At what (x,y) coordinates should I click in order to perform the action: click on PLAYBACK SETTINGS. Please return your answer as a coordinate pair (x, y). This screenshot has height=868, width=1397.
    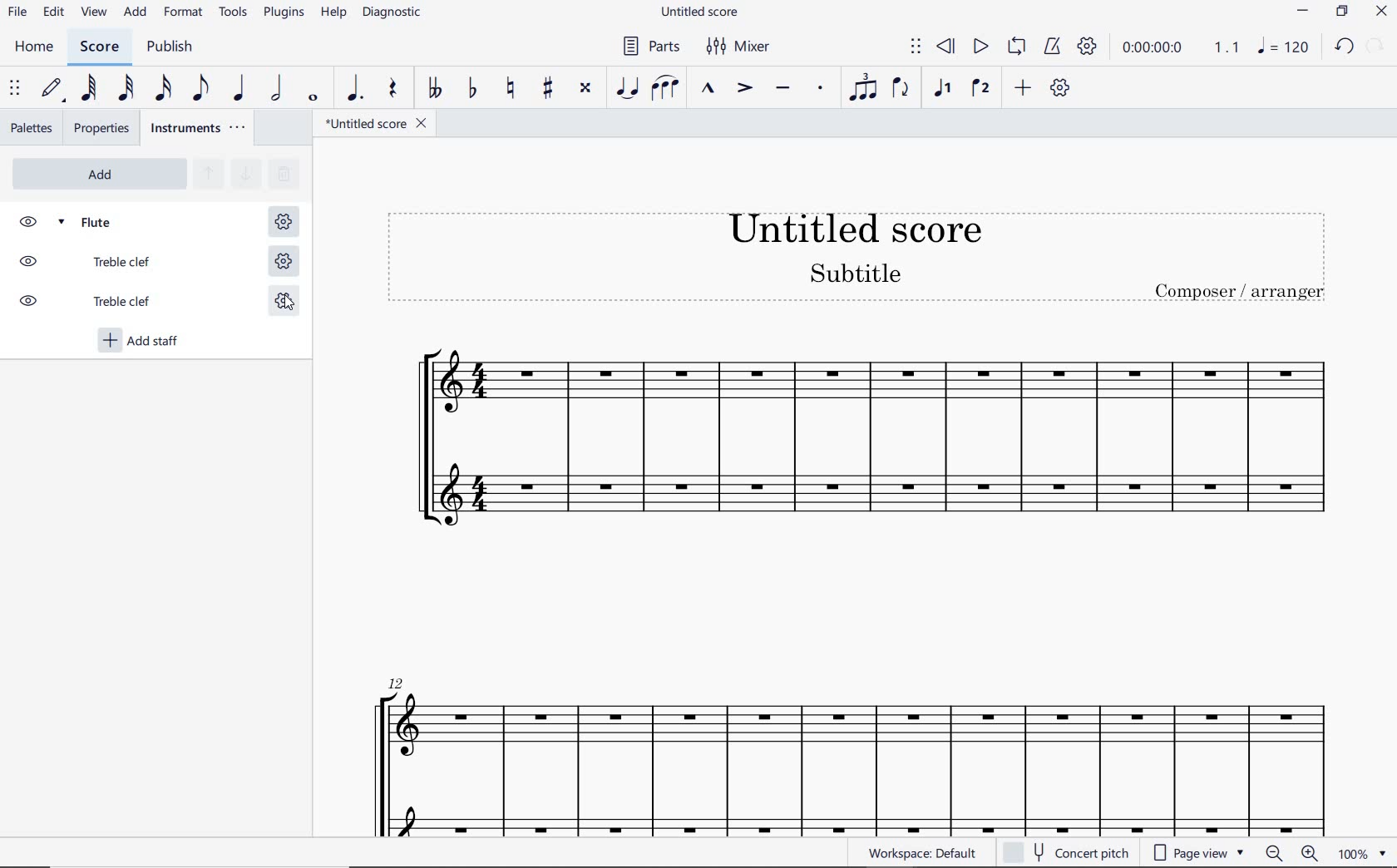
    Looking at the image, I should click on (1087, 47).